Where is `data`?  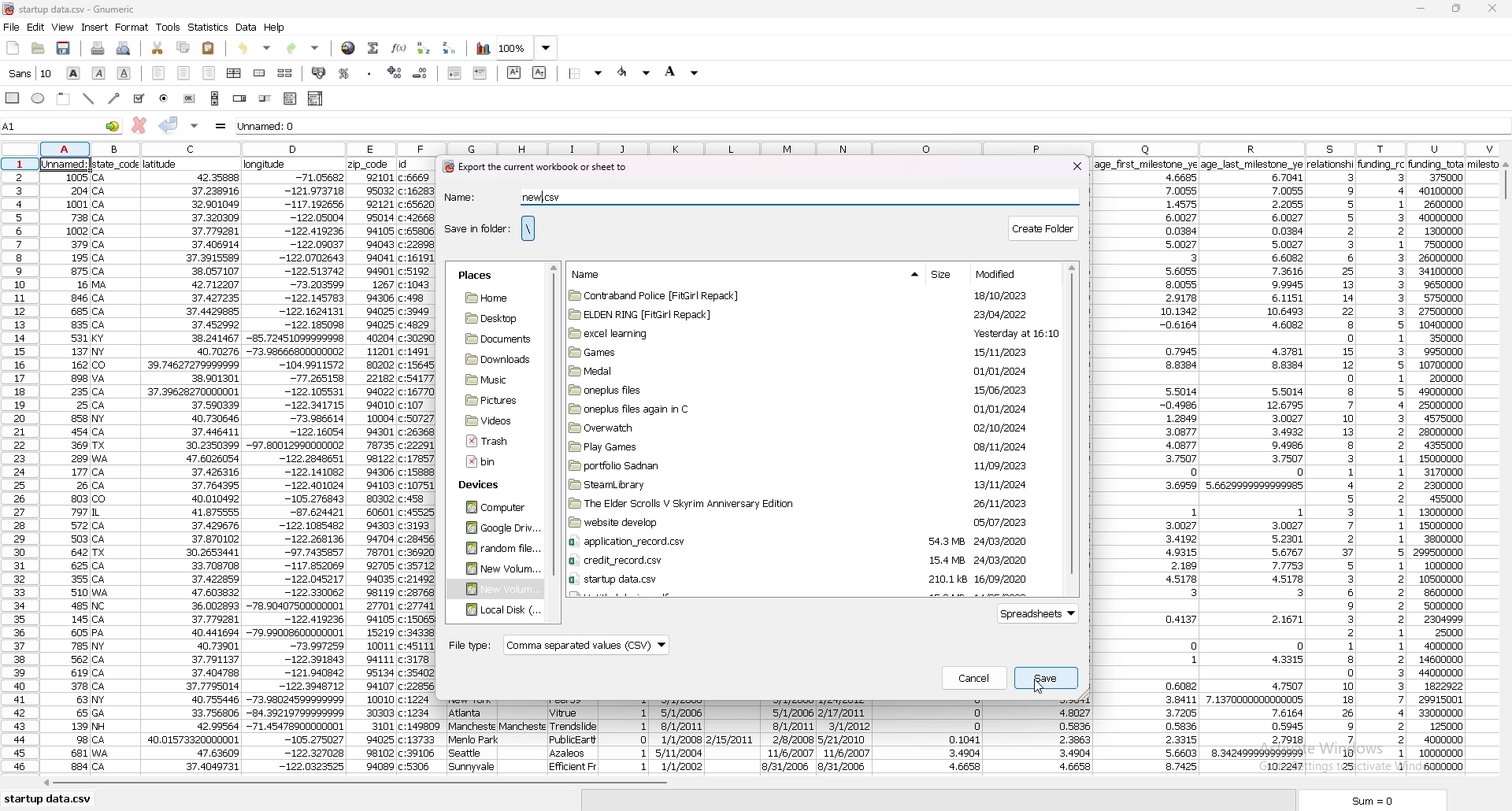
data is located at coordinates (1332, 468).